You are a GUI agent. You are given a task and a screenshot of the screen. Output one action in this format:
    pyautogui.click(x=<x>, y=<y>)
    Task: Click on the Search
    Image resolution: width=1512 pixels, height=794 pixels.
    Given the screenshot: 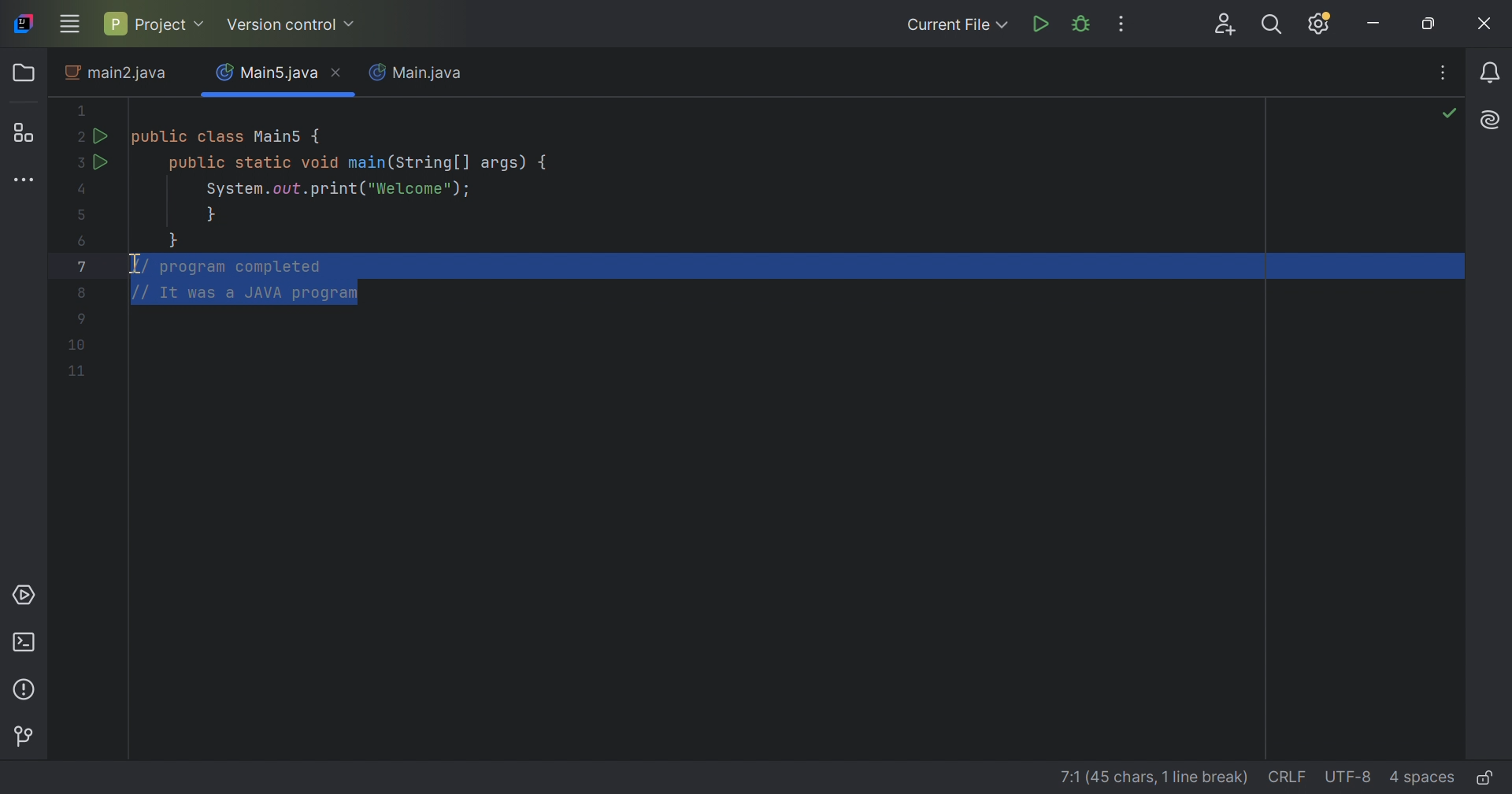 What is the action you would take?
    pyautogui.click(x=1277, y=25)
    